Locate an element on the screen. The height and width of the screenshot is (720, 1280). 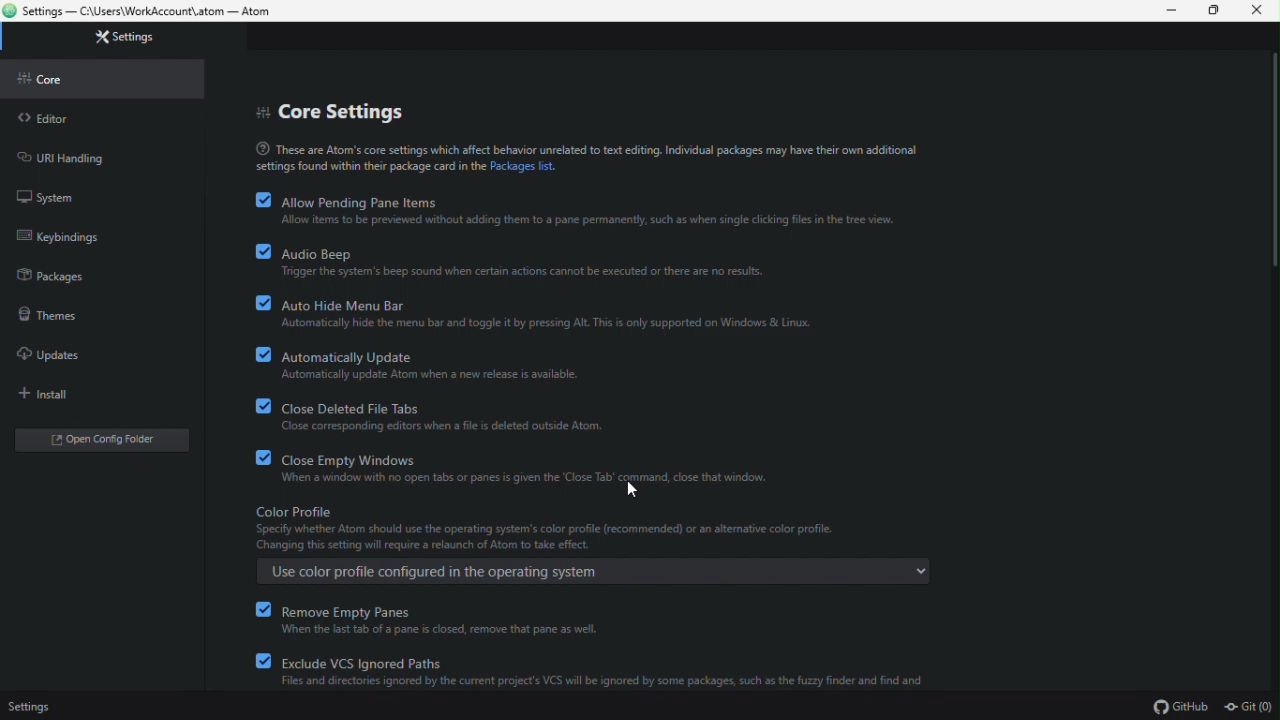
themes is located at coordinates (45, 313).